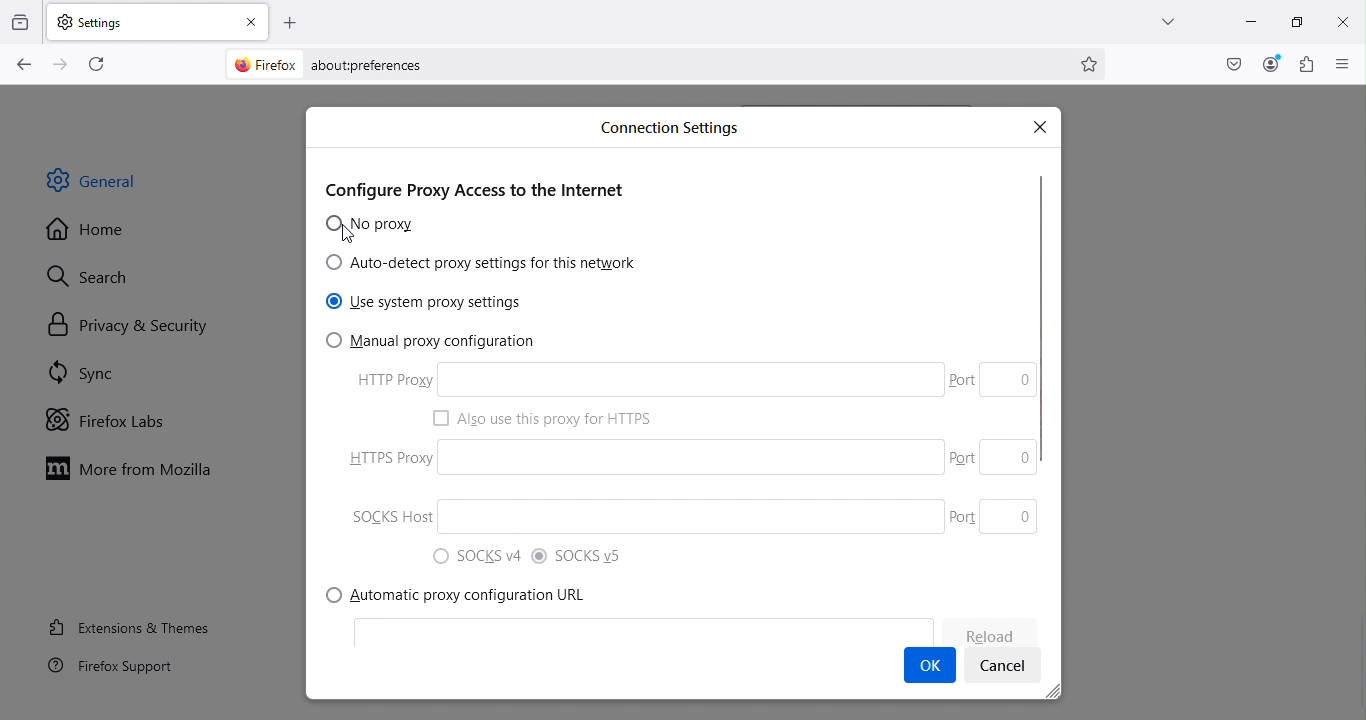  Describe the element at coordinates (1304, 65) in the screenshot. I see `Extensions` at that location.